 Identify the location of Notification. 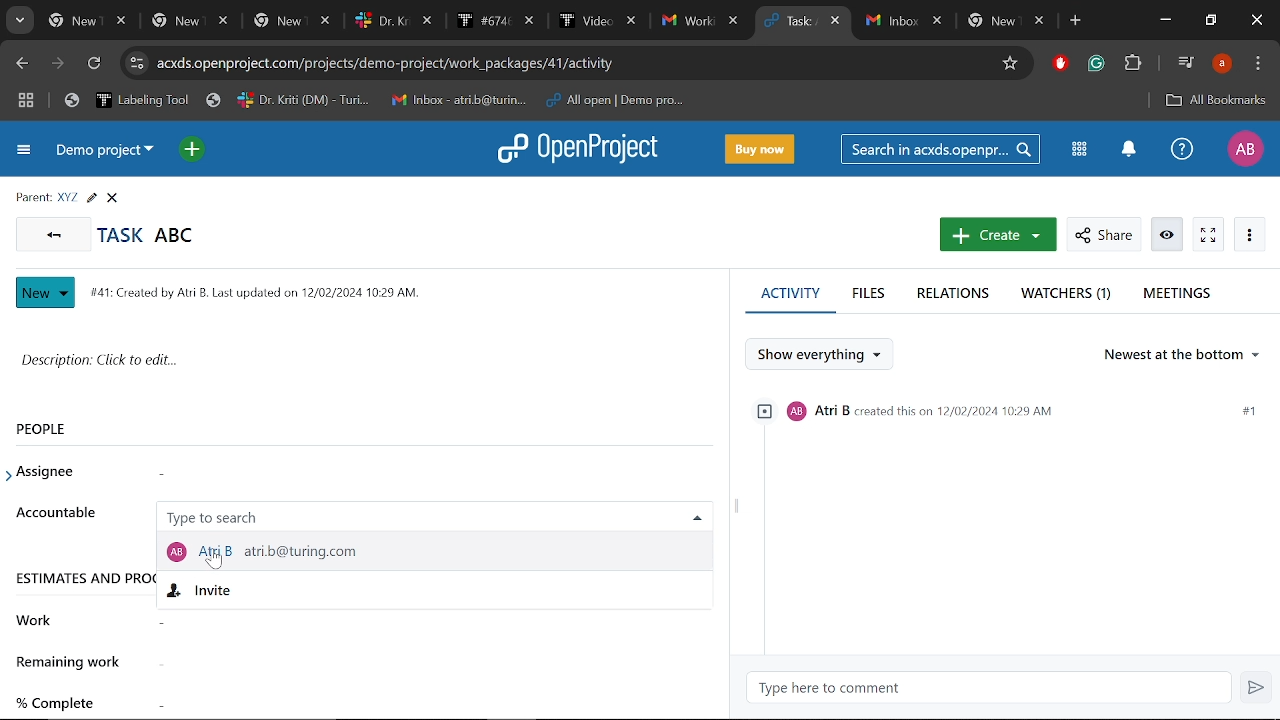
(1132, 151).